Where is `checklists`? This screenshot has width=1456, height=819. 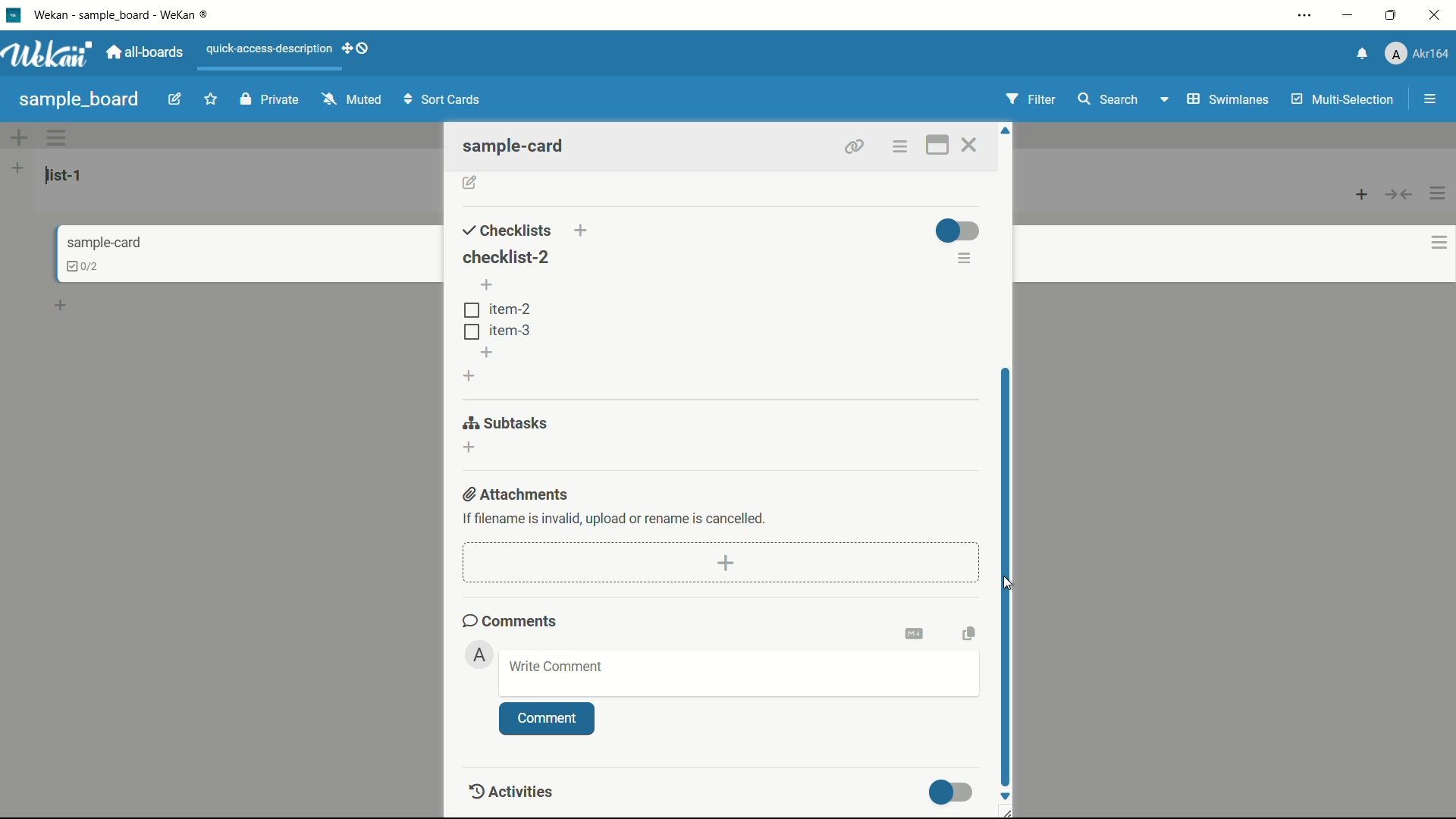 checklists is located at coordinates (507, 231).